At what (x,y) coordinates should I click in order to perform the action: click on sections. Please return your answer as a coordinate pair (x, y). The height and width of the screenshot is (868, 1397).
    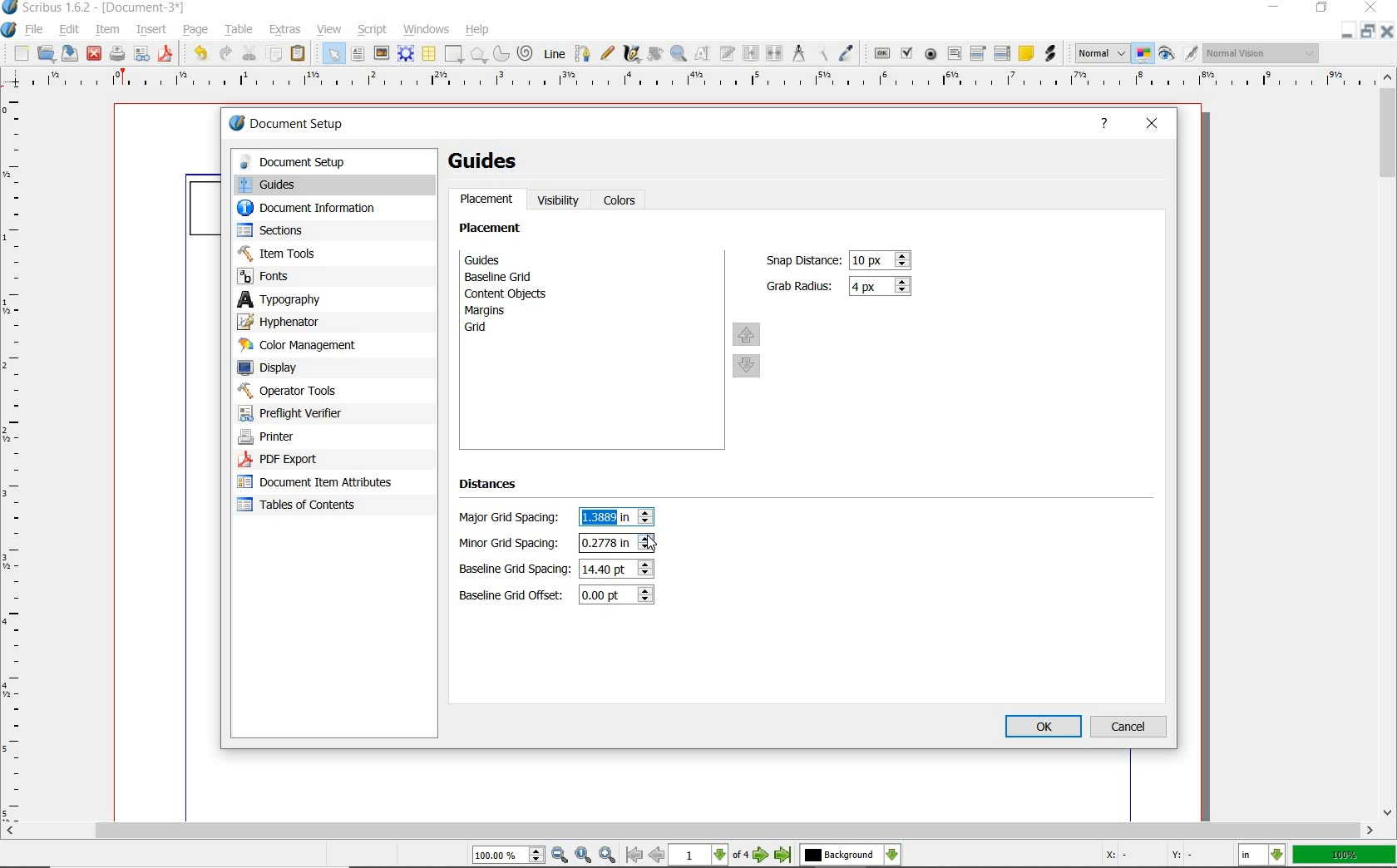
    Looking at the image, I should click on (322, 232).